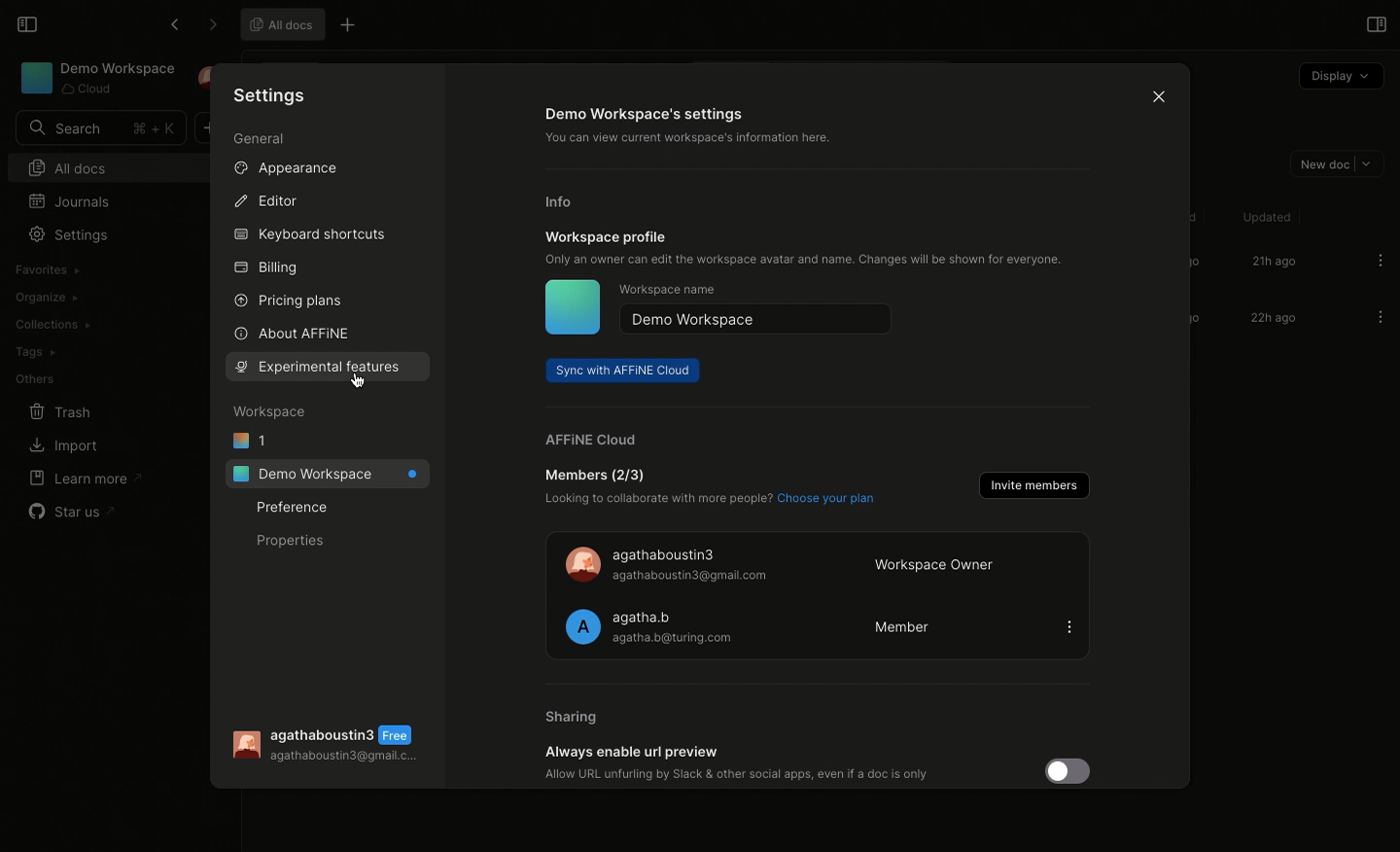 Image resolution: width=1400 pixels, height=852 pixels. What do you see at coordinates (74, 200) in the screenshot?
I see `Journals` at bounding box center [74, 200].